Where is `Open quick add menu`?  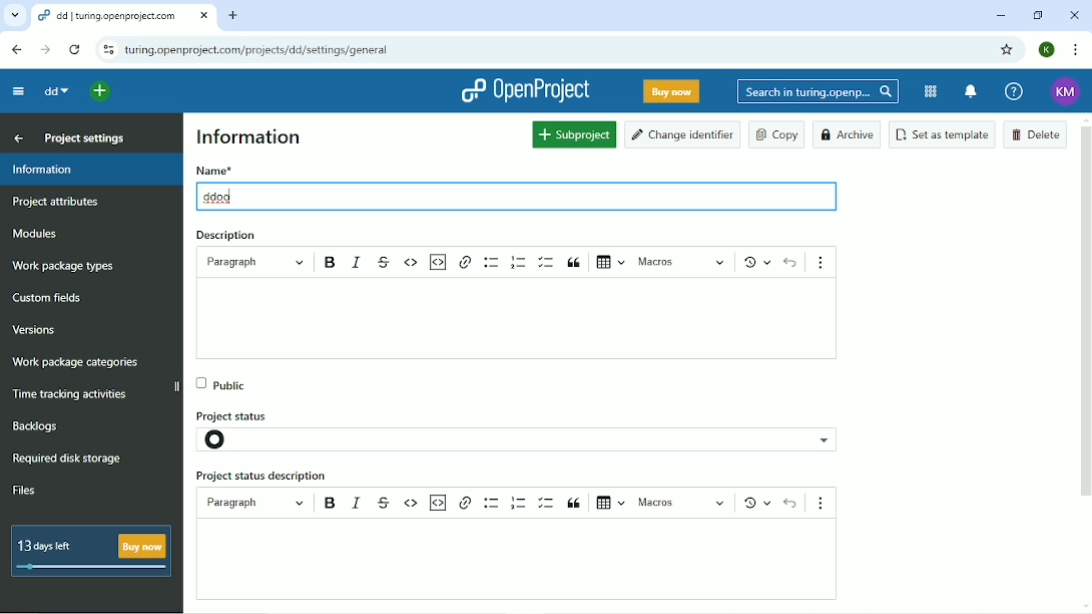
Open quick add menu is located at coordinates (104, 92).